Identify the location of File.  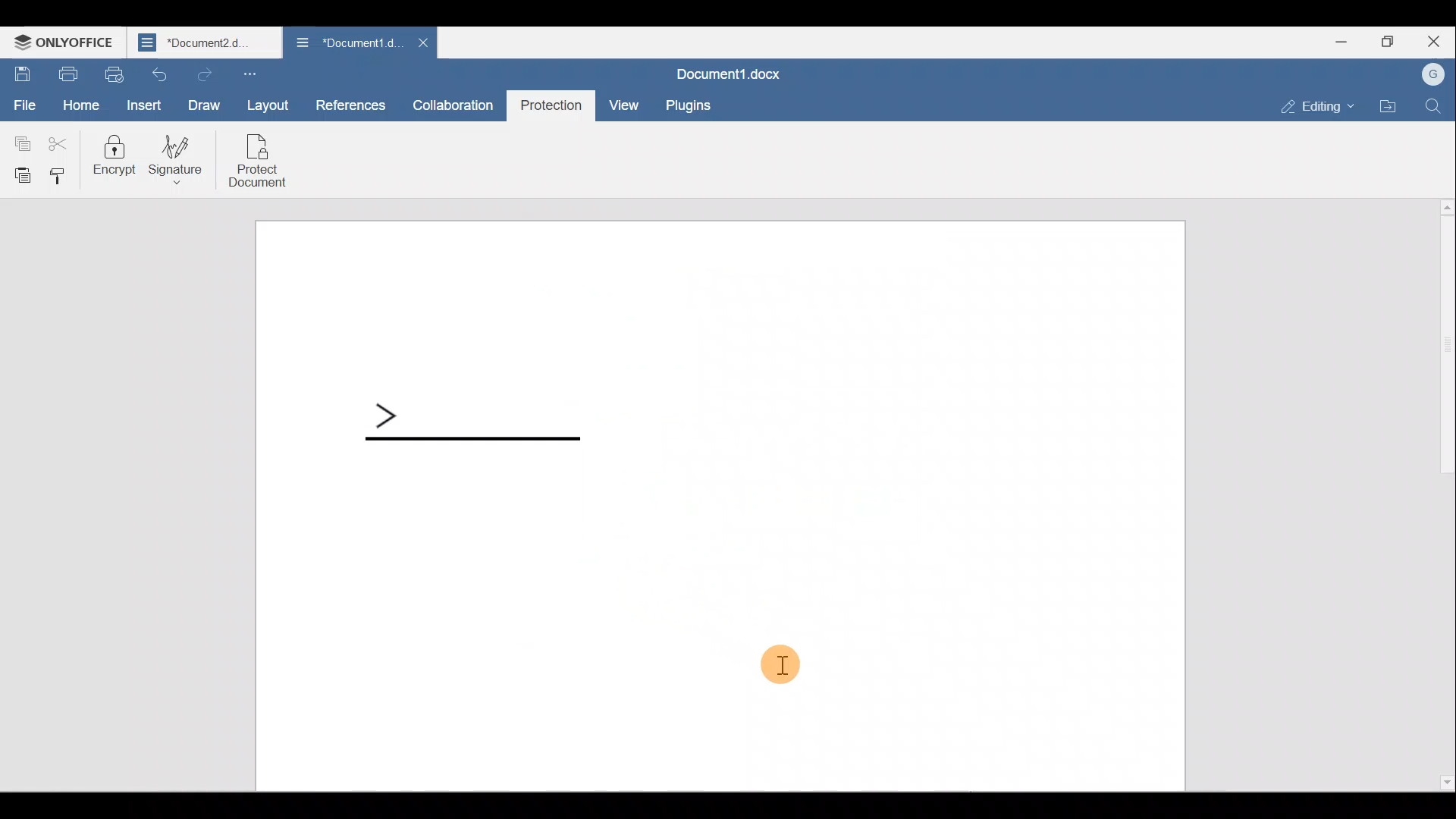
(23, 106).